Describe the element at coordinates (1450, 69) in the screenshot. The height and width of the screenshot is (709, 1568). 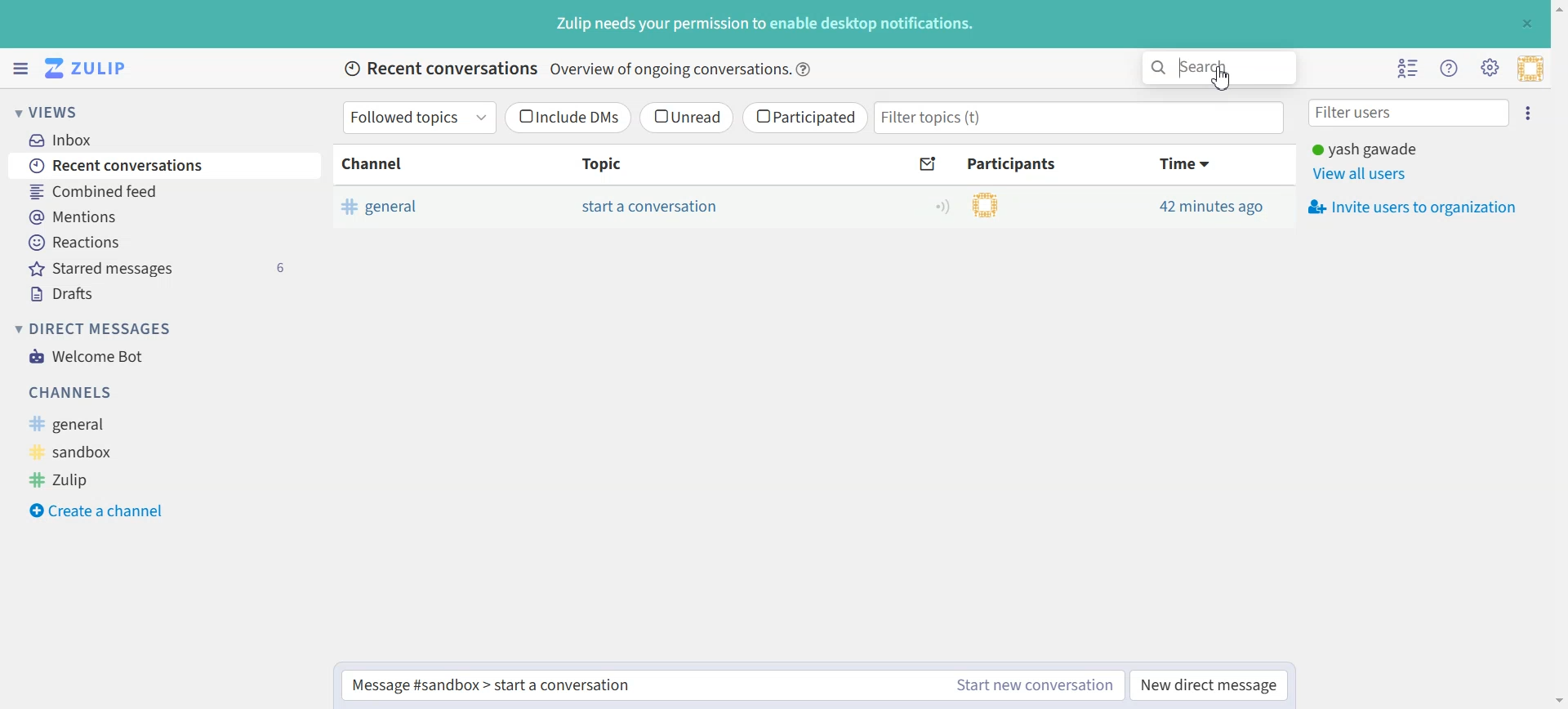
I see `Help Menu` at that location.